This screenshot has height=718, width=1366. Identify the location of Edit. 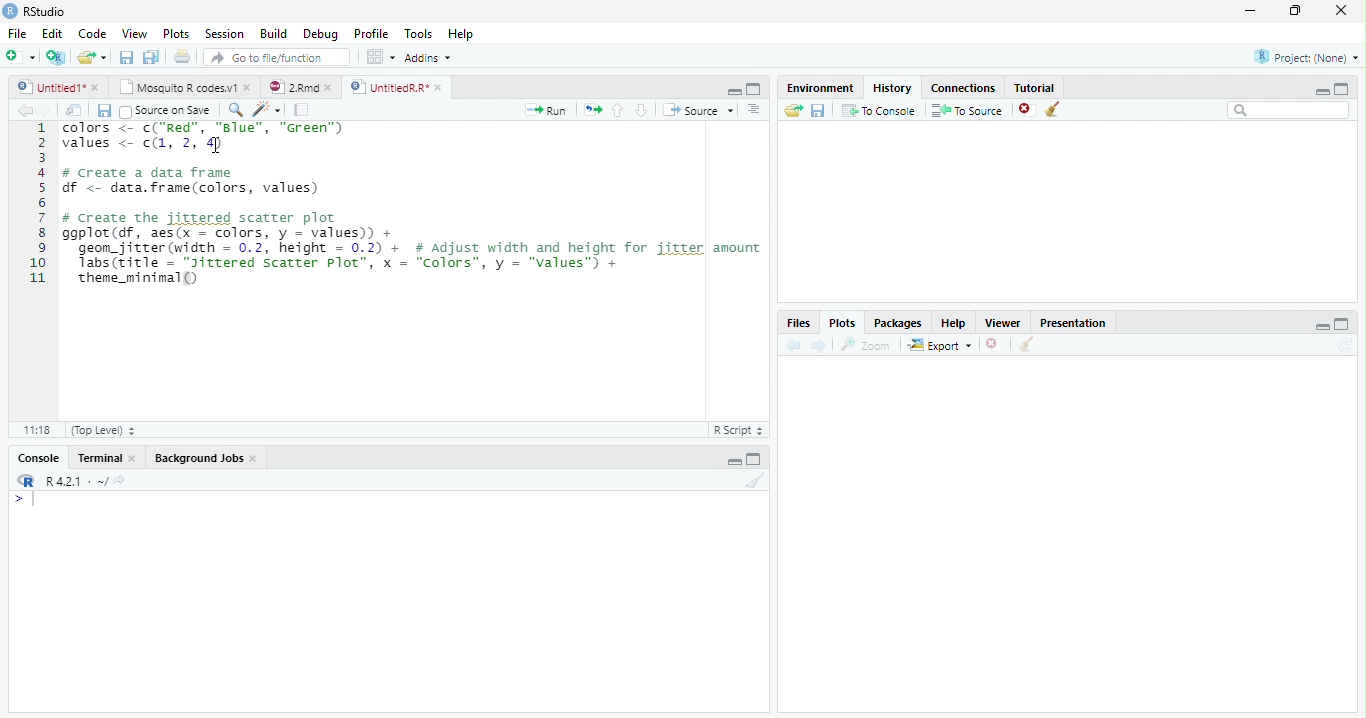
(52, 34).